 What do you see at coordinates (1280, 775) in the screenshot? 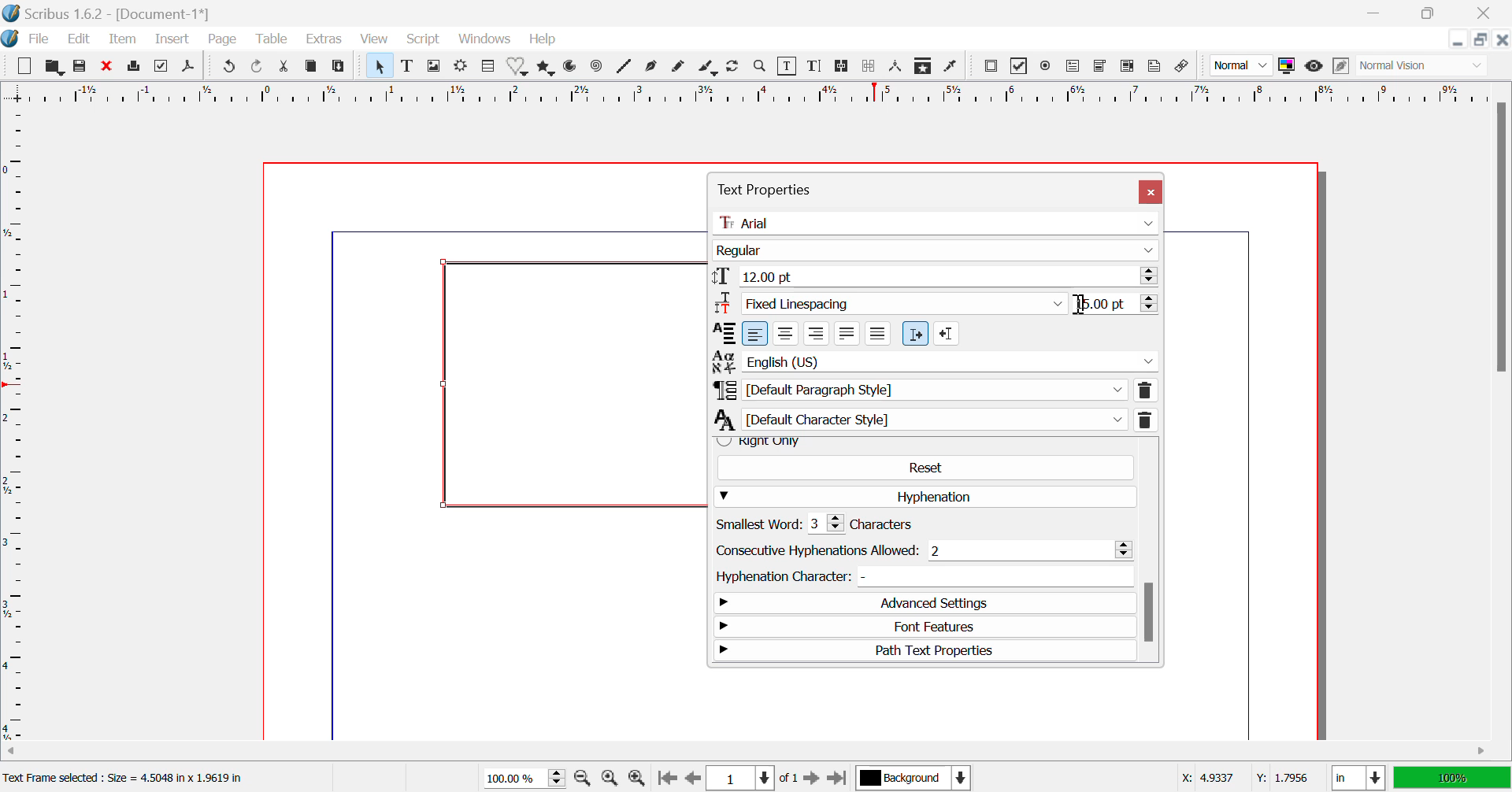
I see `Y: 1.7956` at bounding box center [1280, 775].